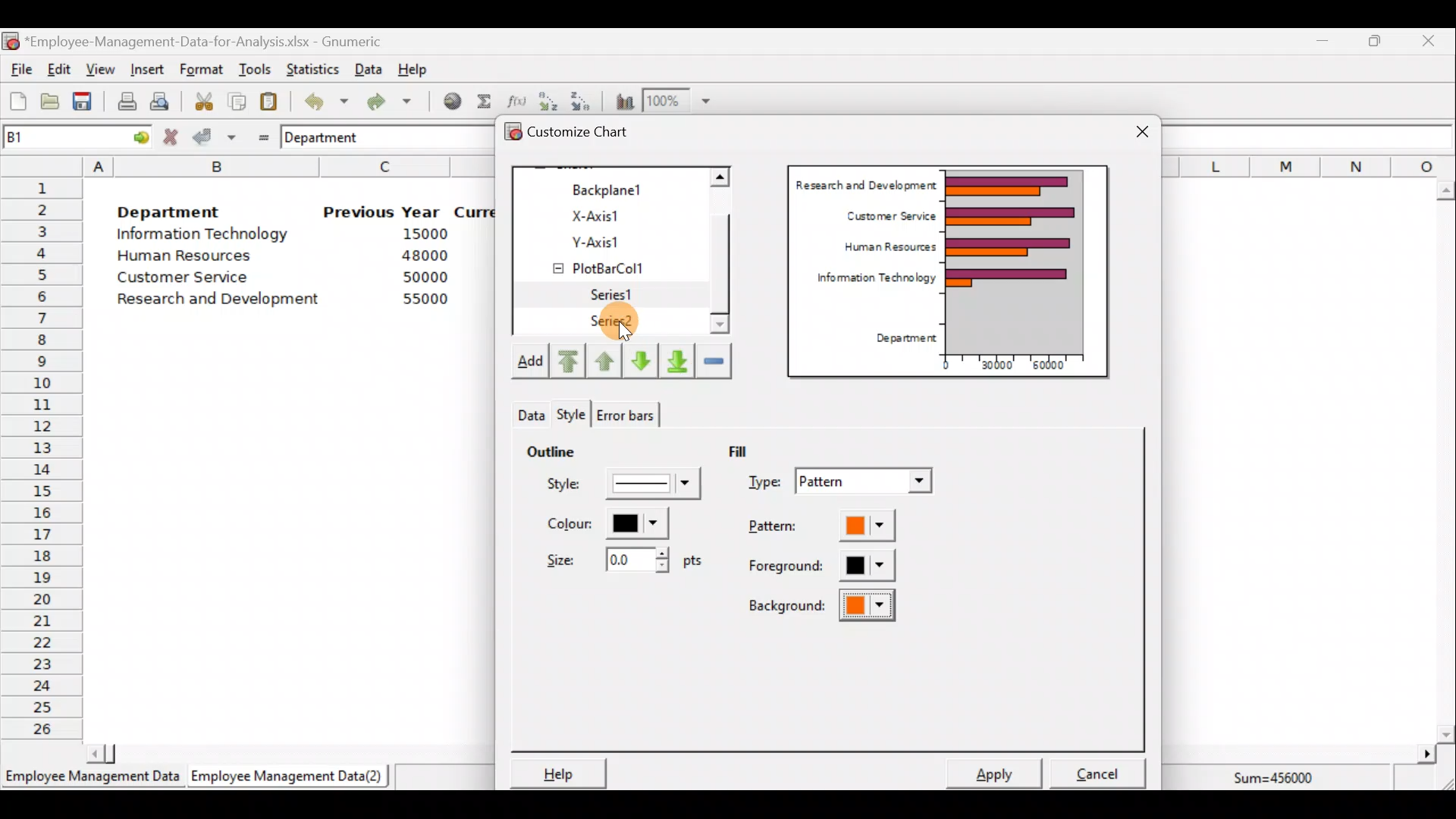 The height and width of the screenshot is (819, 1456). Describe the element at coordinates (159, 99) in the screenshot. I see `Print preview` at that location.